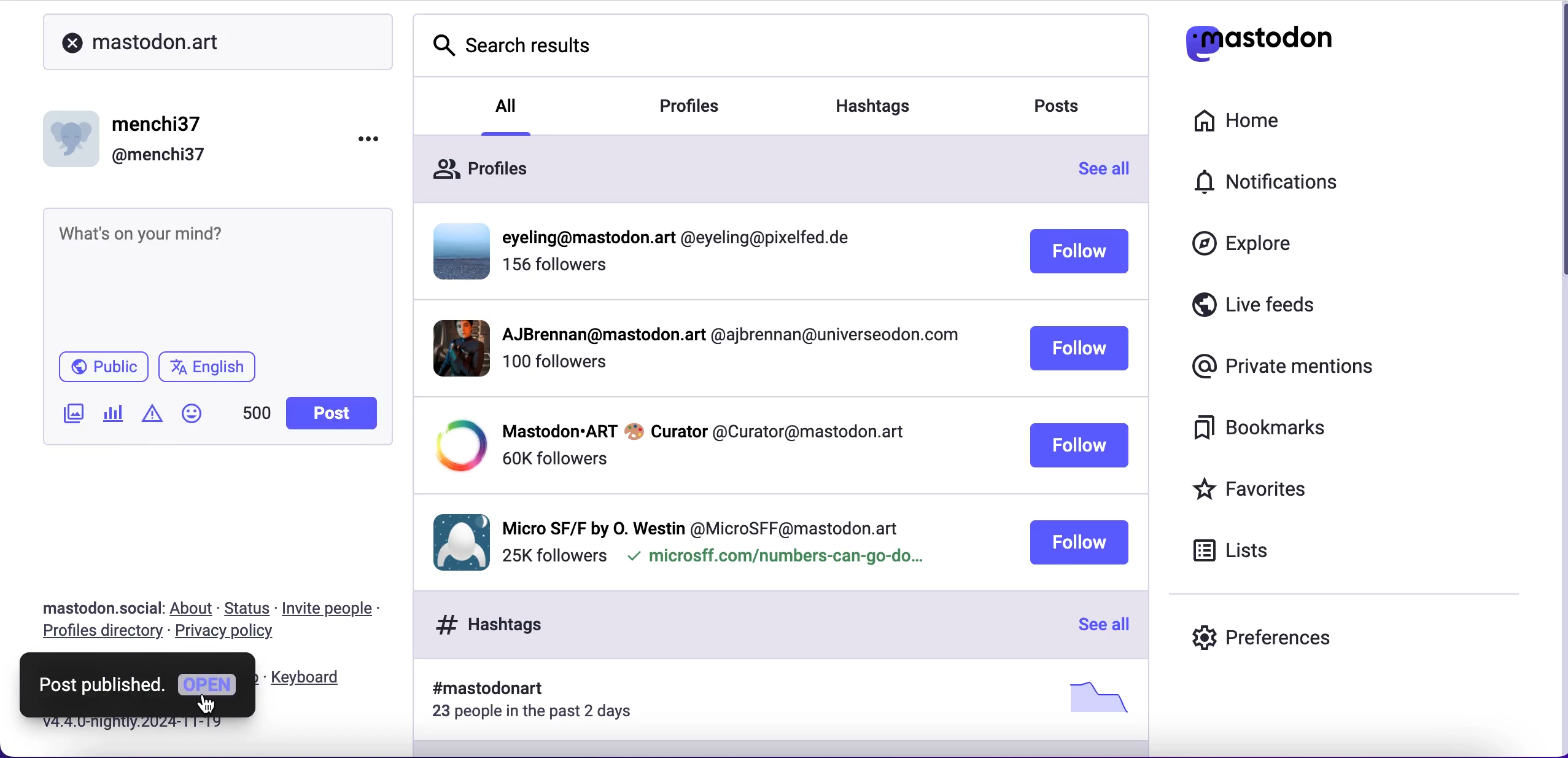 This screenshot has width=1568, height=758. I want to click on profiile, so click(683, 238).